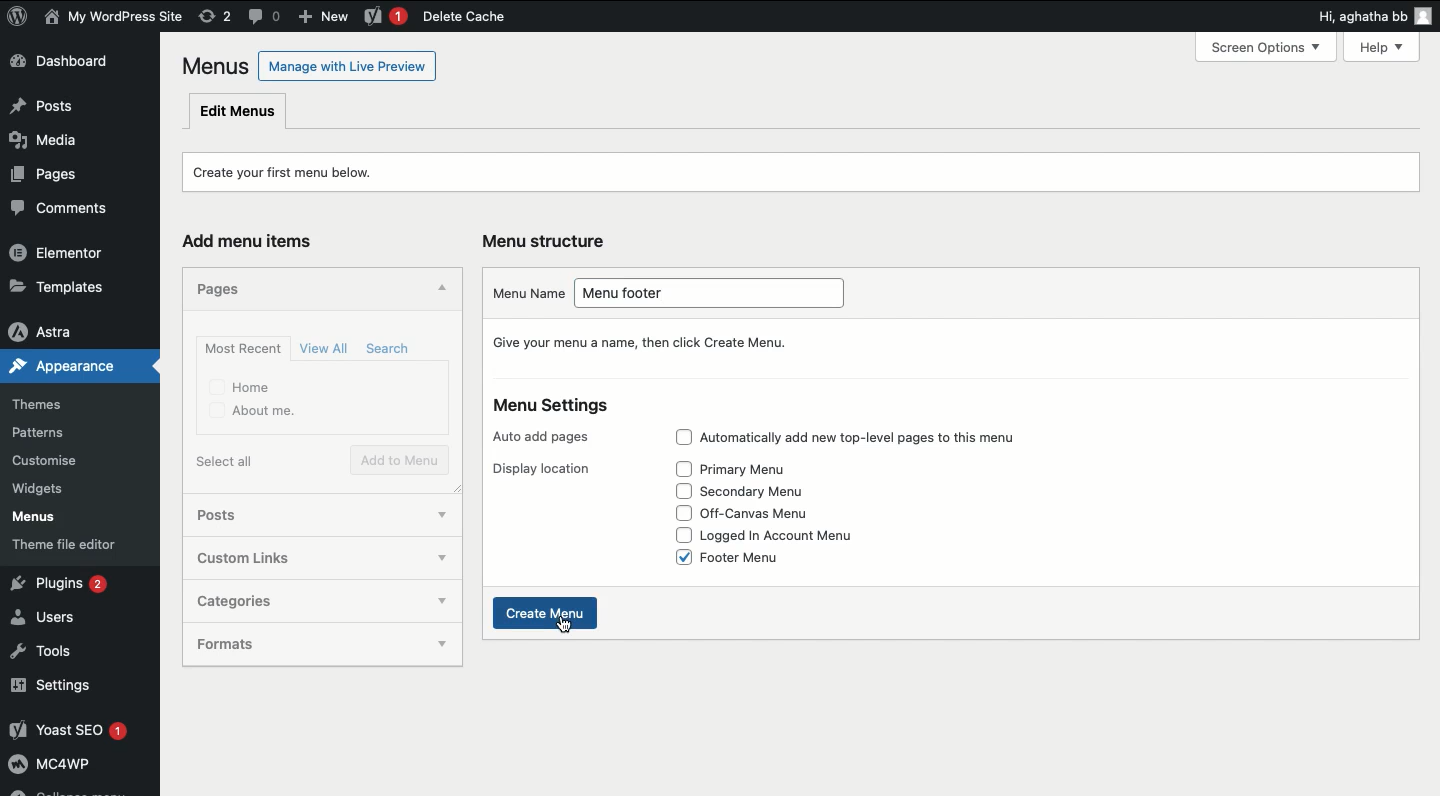  Describe the element at coordinates (564, 628) in the screenshot. I see `cursor` at that location.